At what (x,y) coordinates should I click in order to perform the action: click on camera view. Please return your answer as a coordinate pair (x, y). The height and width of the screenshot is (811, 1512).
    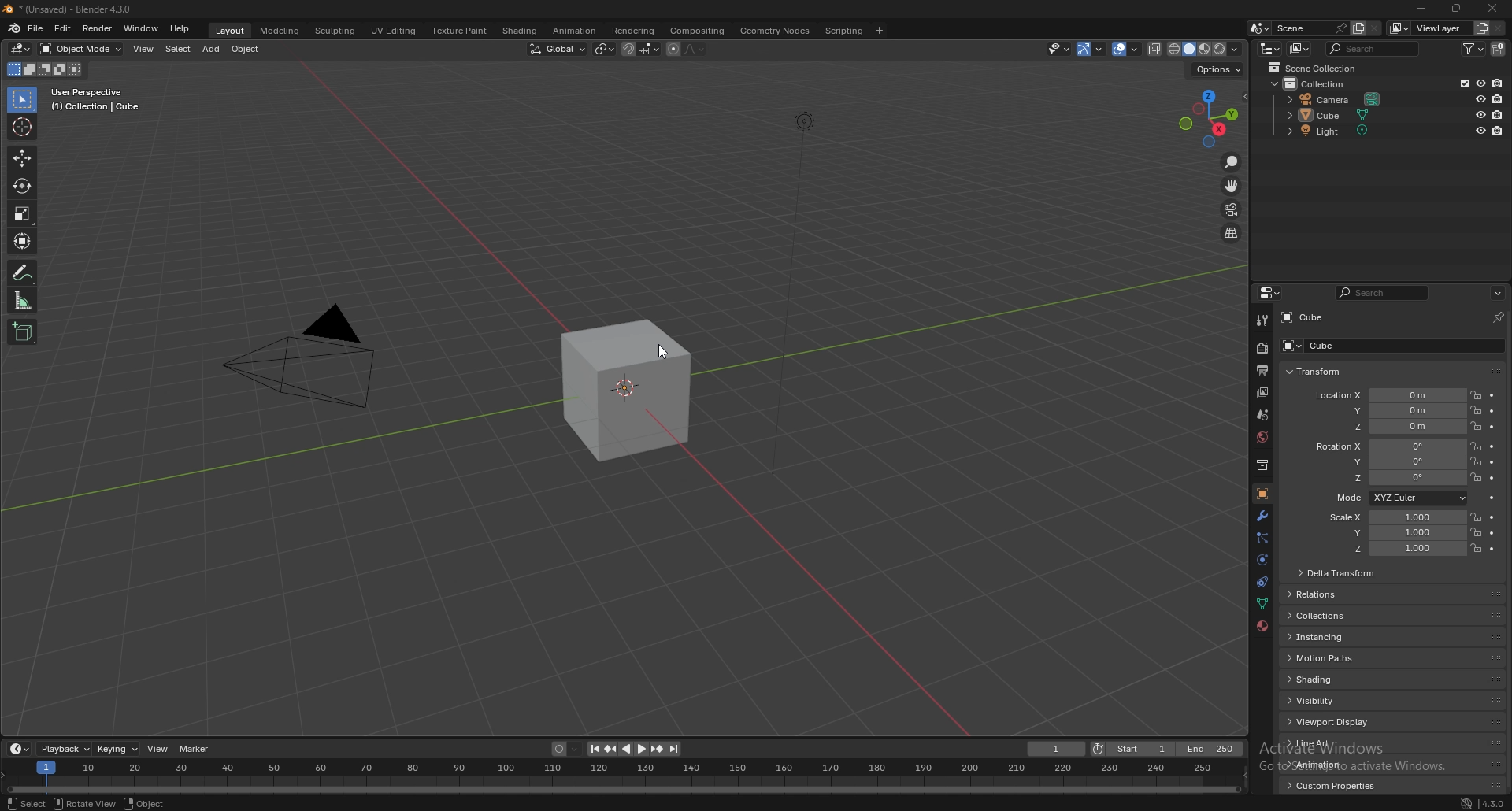
    Looking at the image, I should click on (1232, 209).